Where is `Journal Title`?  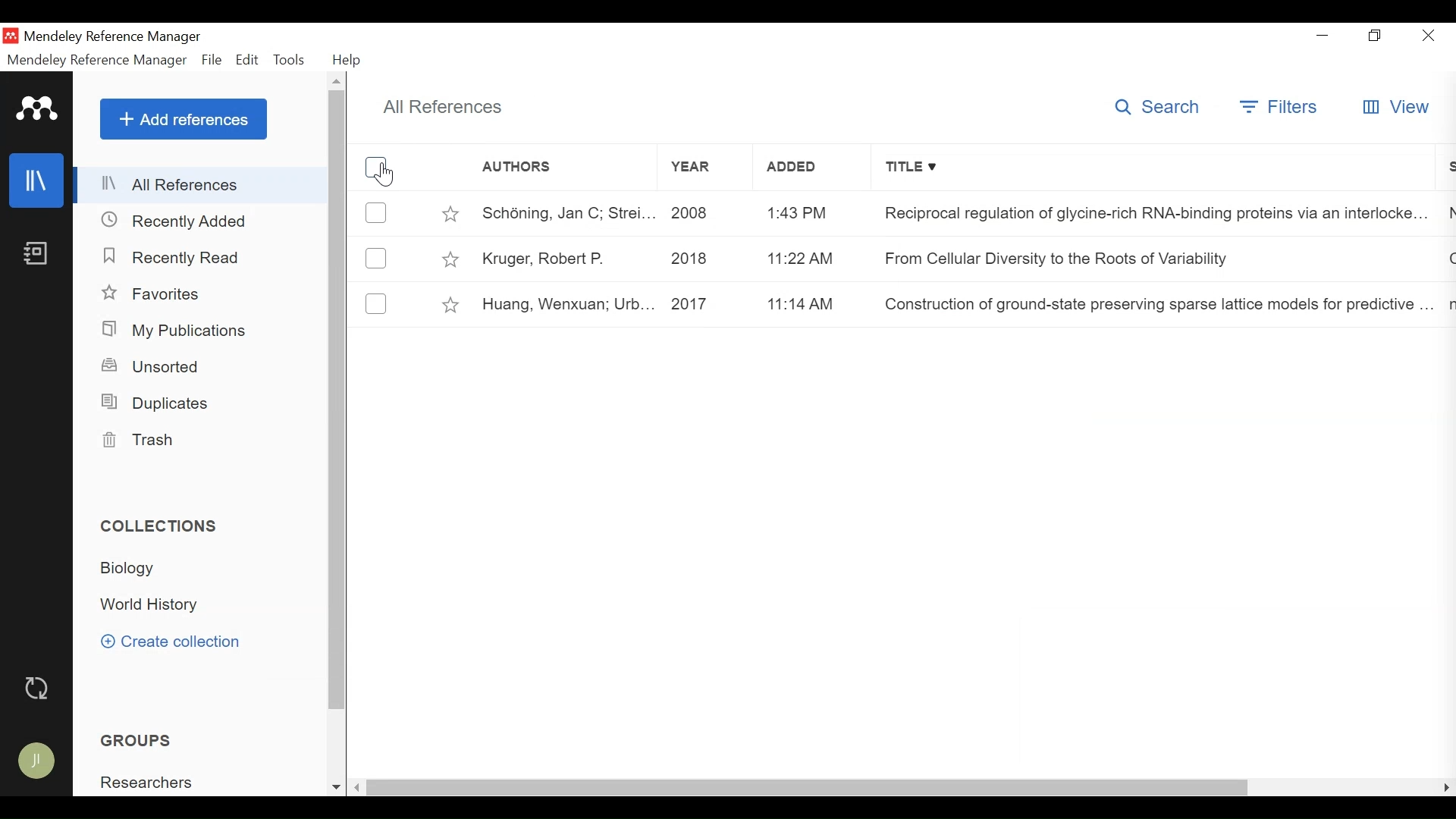
Journal Title is located at coordinates (1150, 304).